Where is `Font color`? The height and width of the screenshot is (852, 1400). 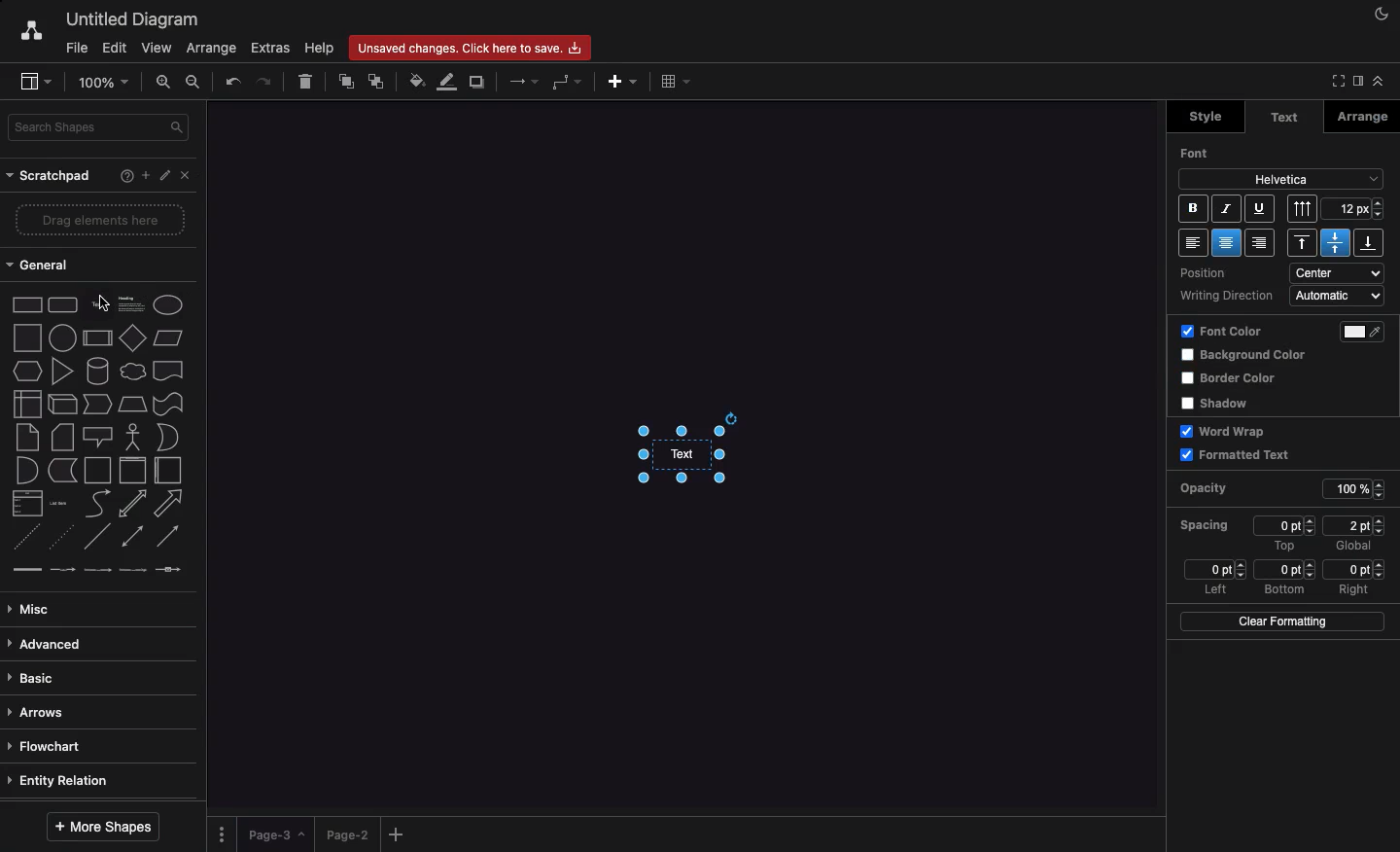
Font color is located at coordinates (1222, 333).